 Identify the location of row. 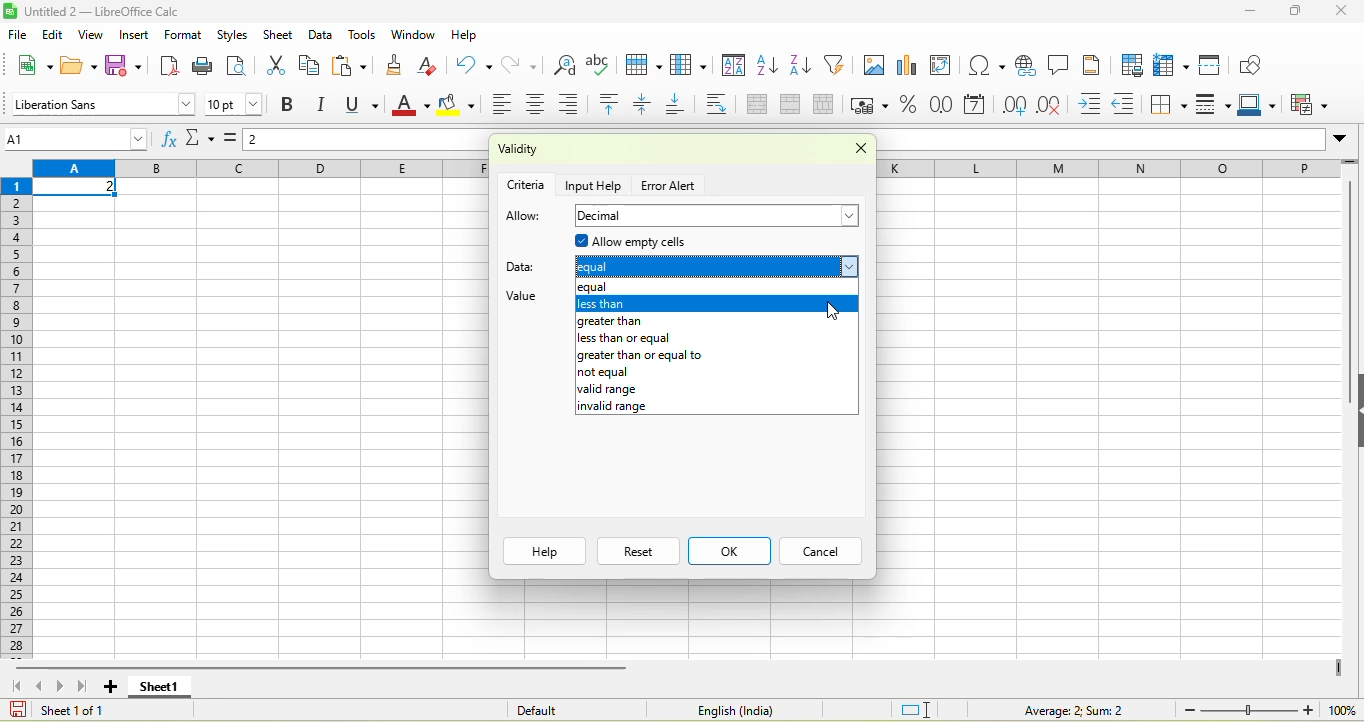
(646, 65).